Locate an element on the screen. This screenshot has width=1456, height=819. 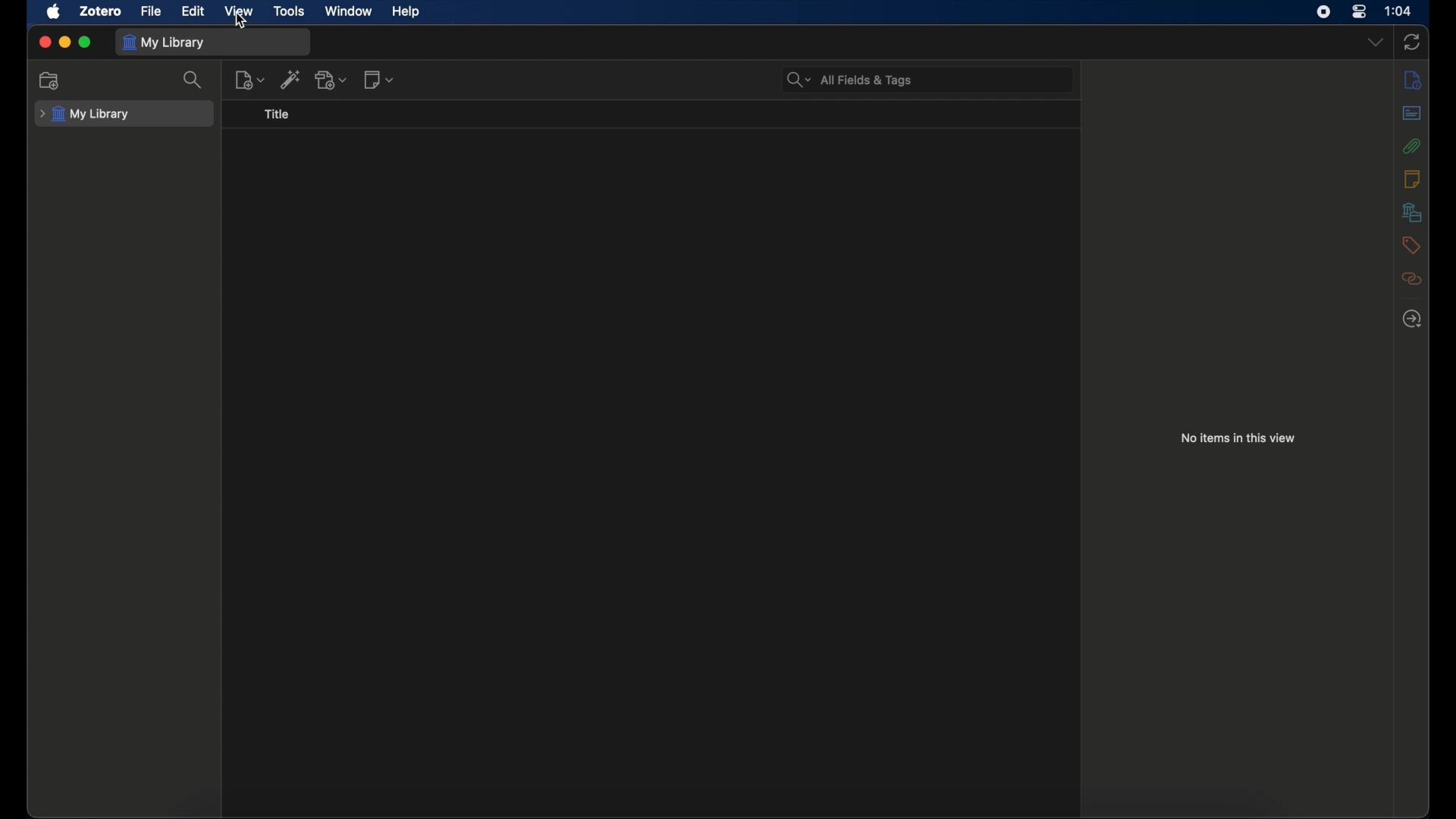
control center is located at coordinates (1359, 11).